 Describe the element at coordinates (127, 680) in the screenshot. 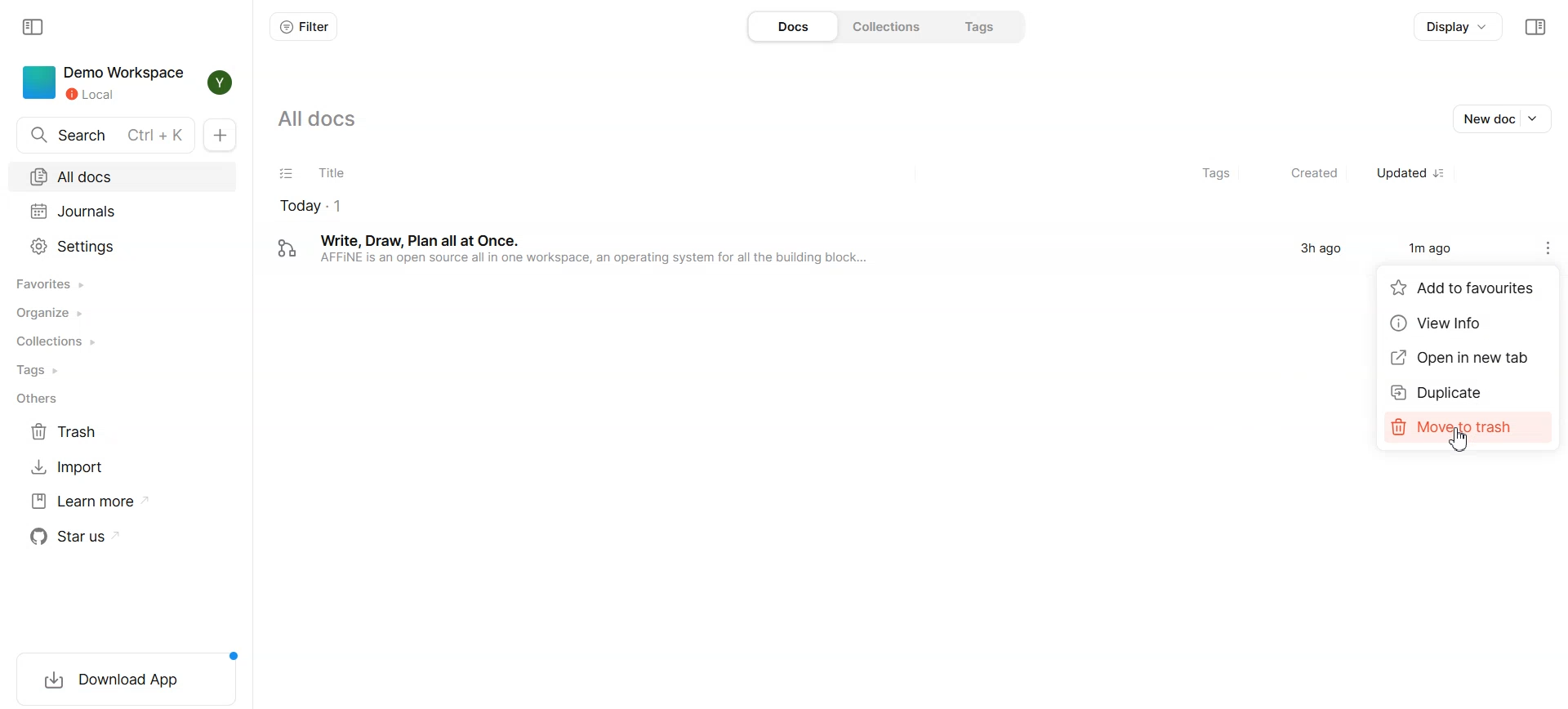

I see `Download app` at that location.